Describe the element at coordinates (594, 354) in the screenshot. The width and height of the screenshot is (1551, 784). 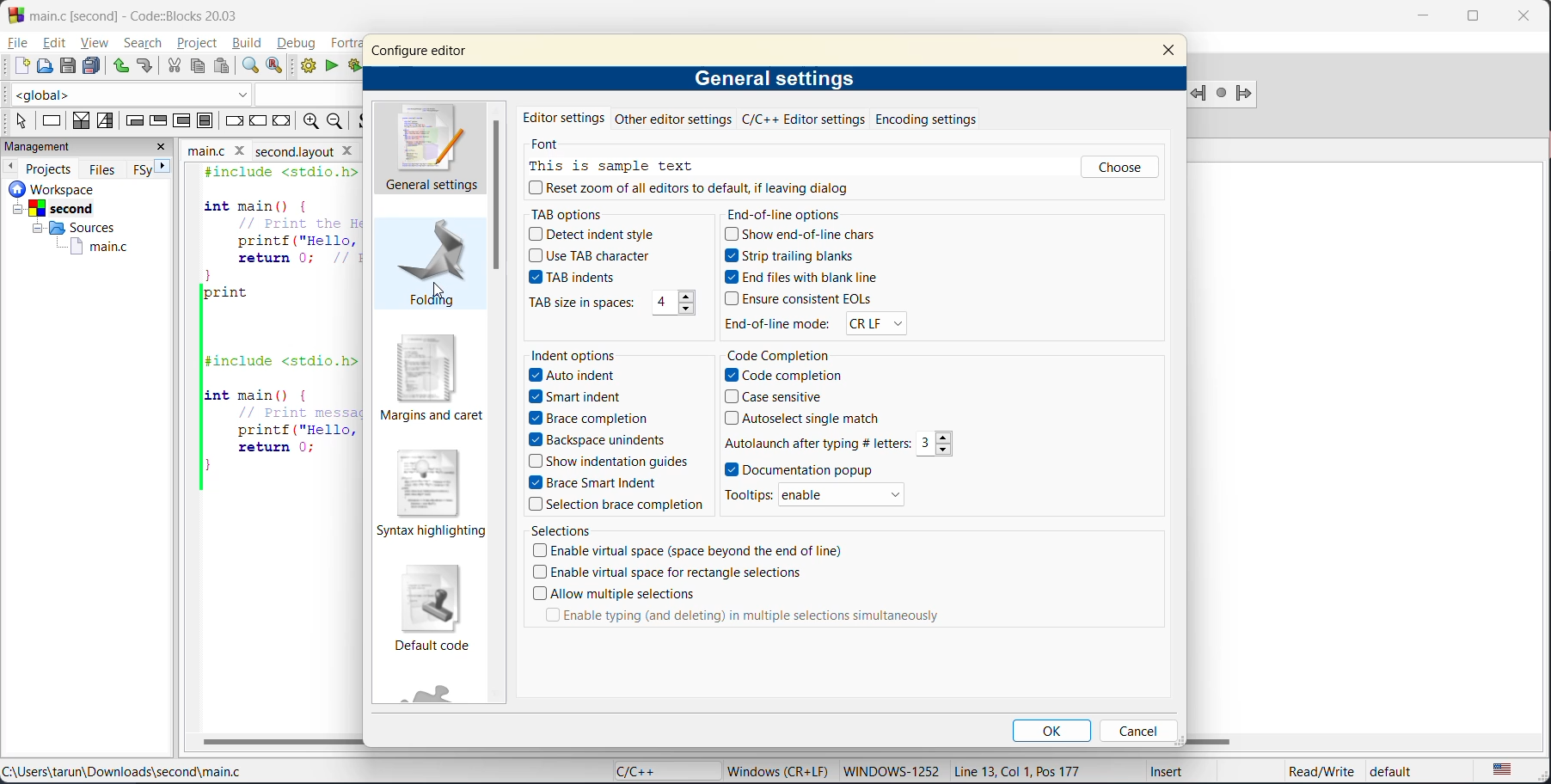
I see `indent options` at that location.